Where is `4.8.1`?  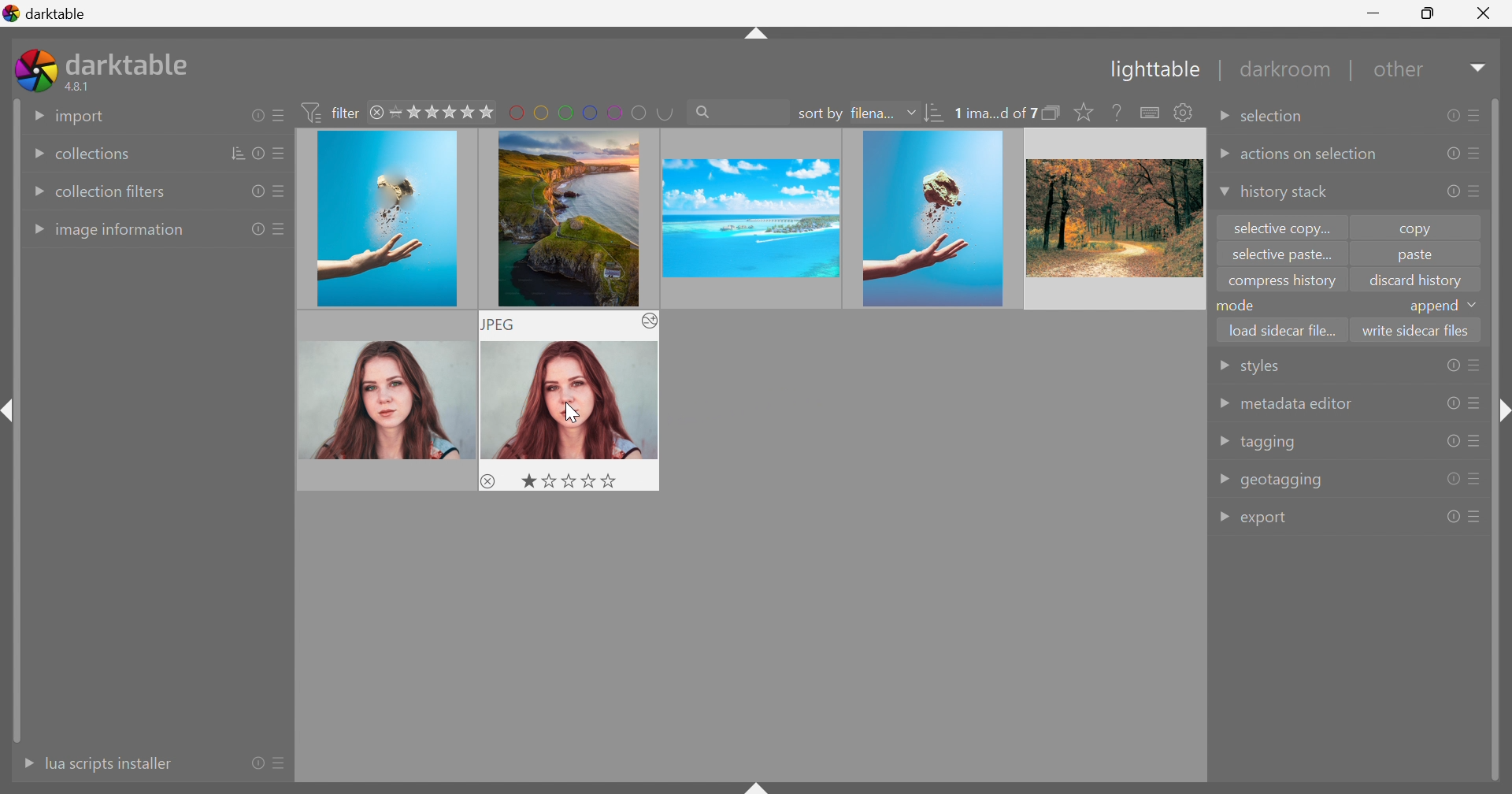 4.8.1 is located at coordinates (83, 87).